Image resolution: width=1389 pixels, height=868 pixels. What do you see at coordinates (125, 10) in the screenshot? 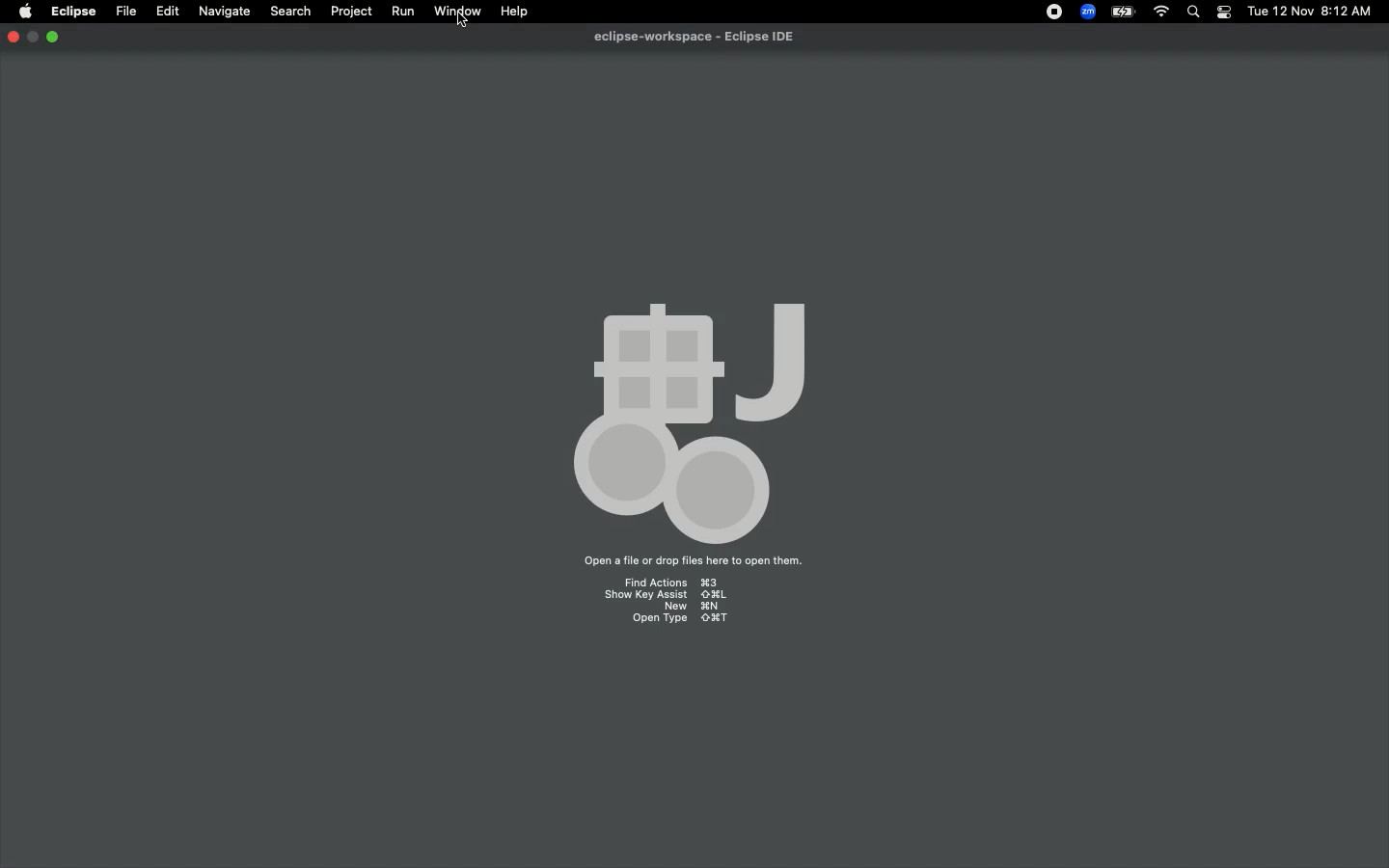
I see `File` at bounding box center [125, 10].